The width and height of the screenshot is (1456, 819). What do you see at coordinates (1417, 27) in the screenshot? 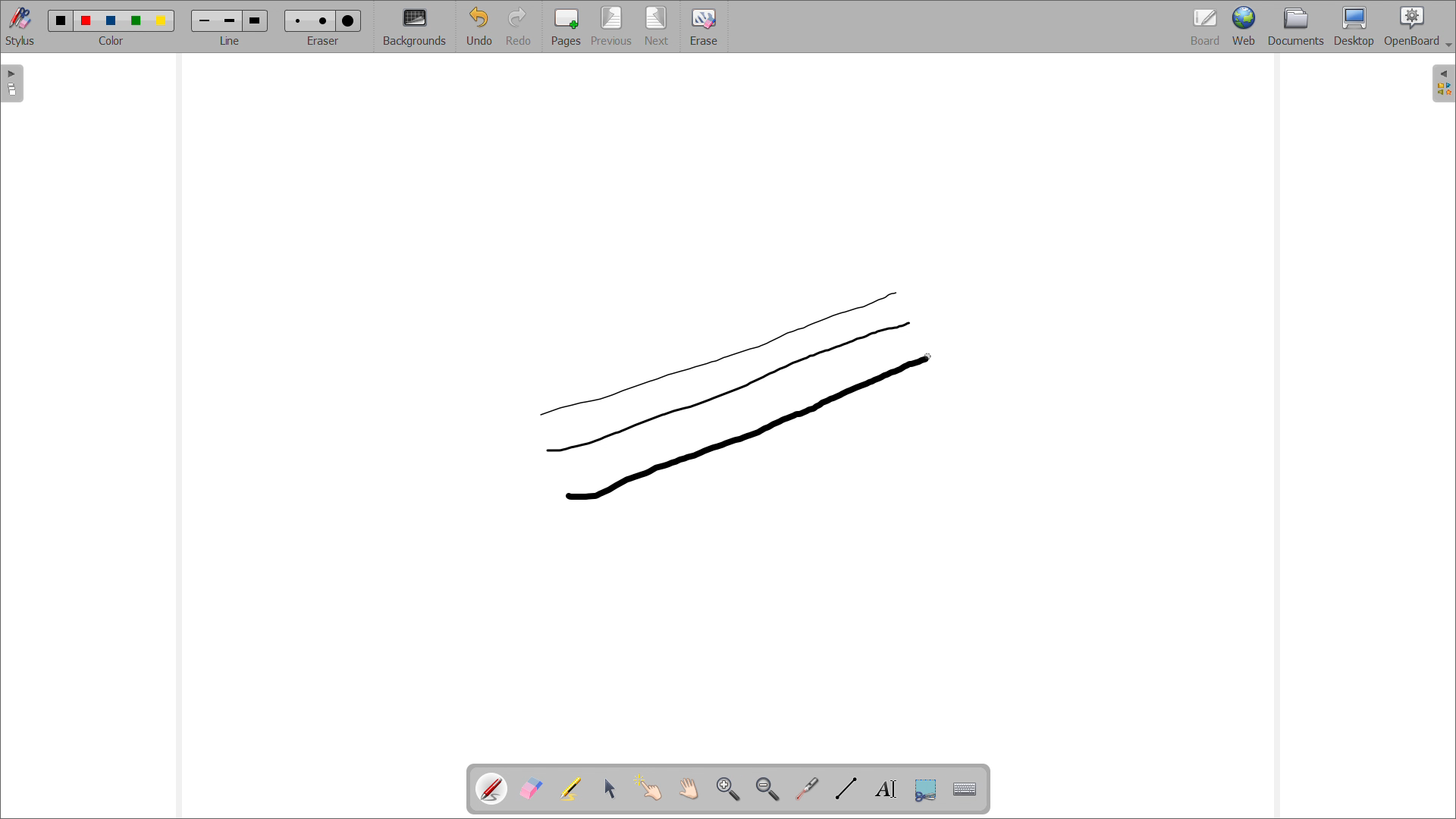
I see `openboard settings` at bounding box center [1417, 27].